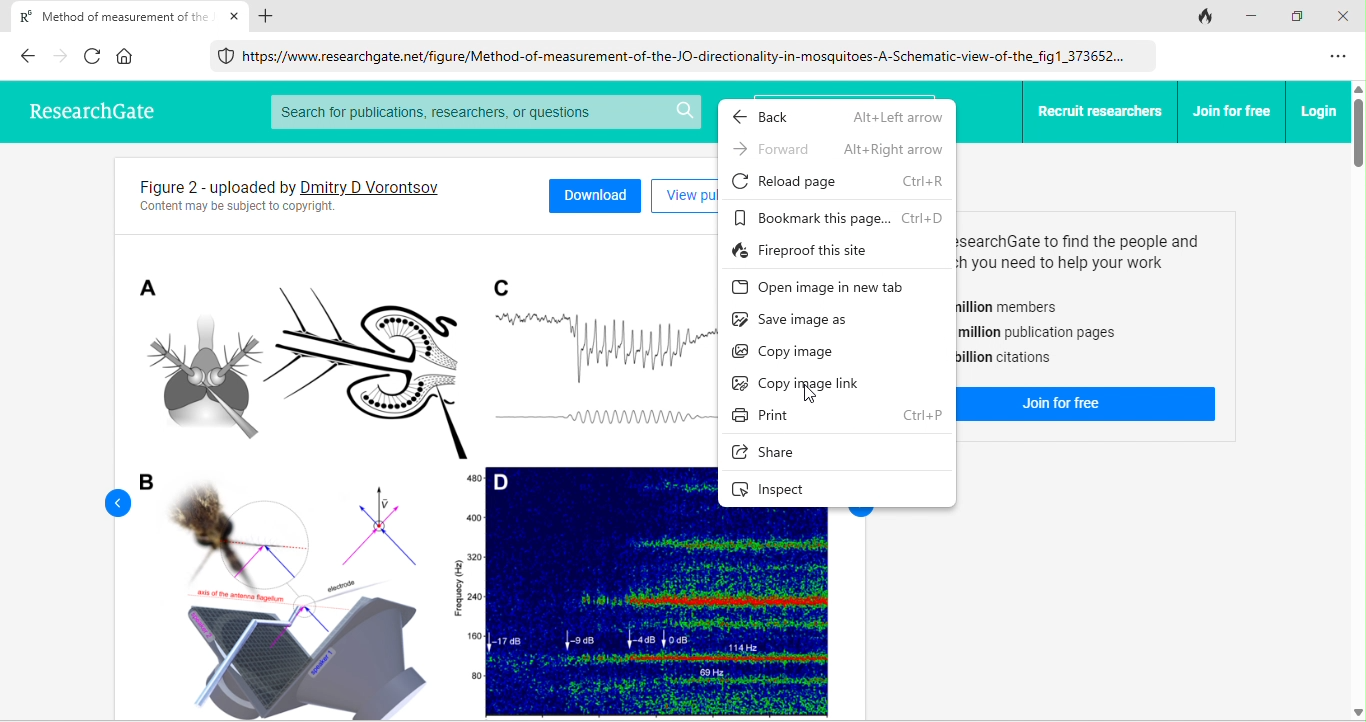  I want to click on copy image link, so click(801, 382).